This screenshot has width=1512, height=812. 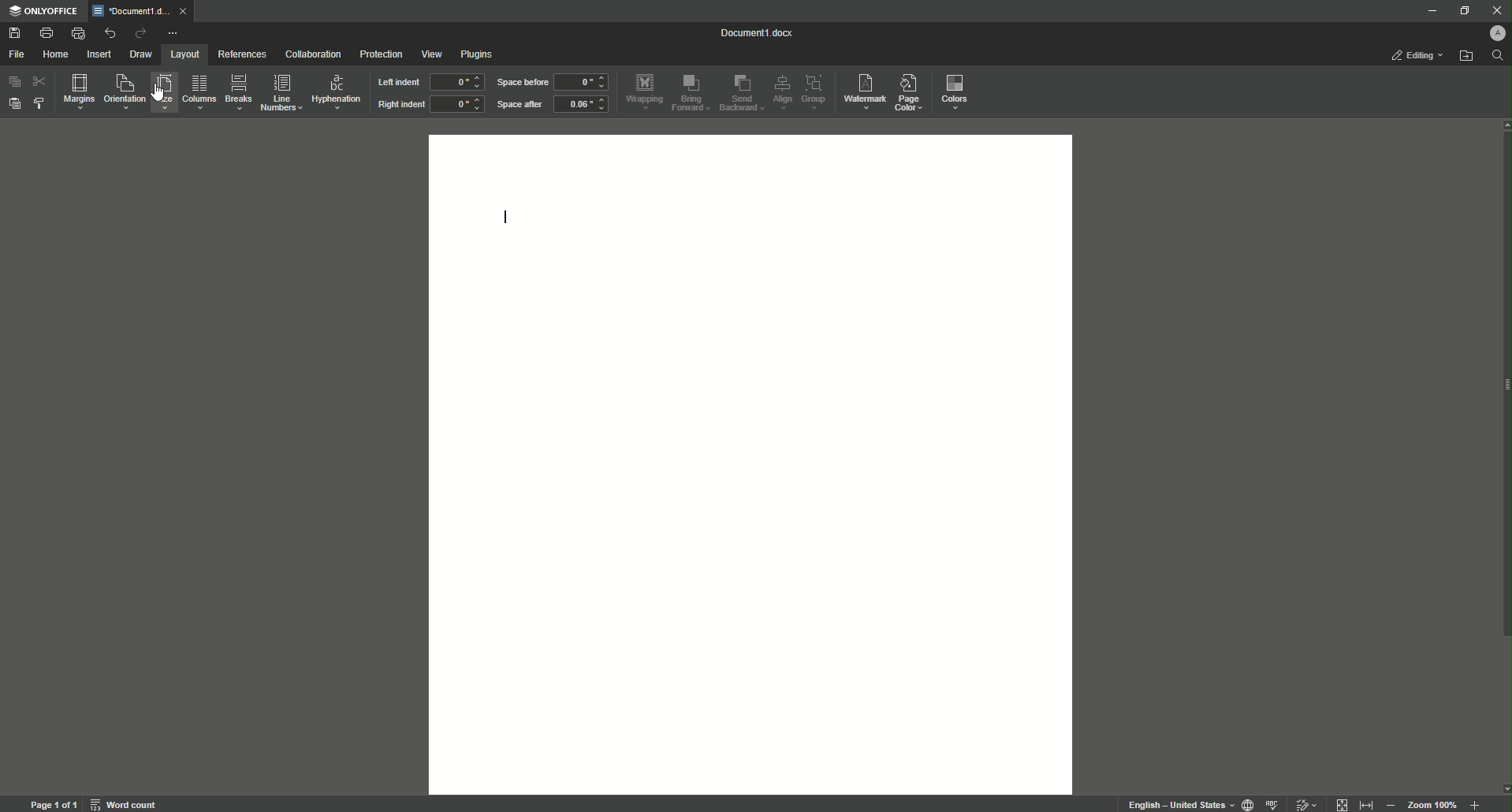 What do you see at coordinates (1307, 800) in the screenshot?
I see `Track changes` at bounding box center [1307, 800].